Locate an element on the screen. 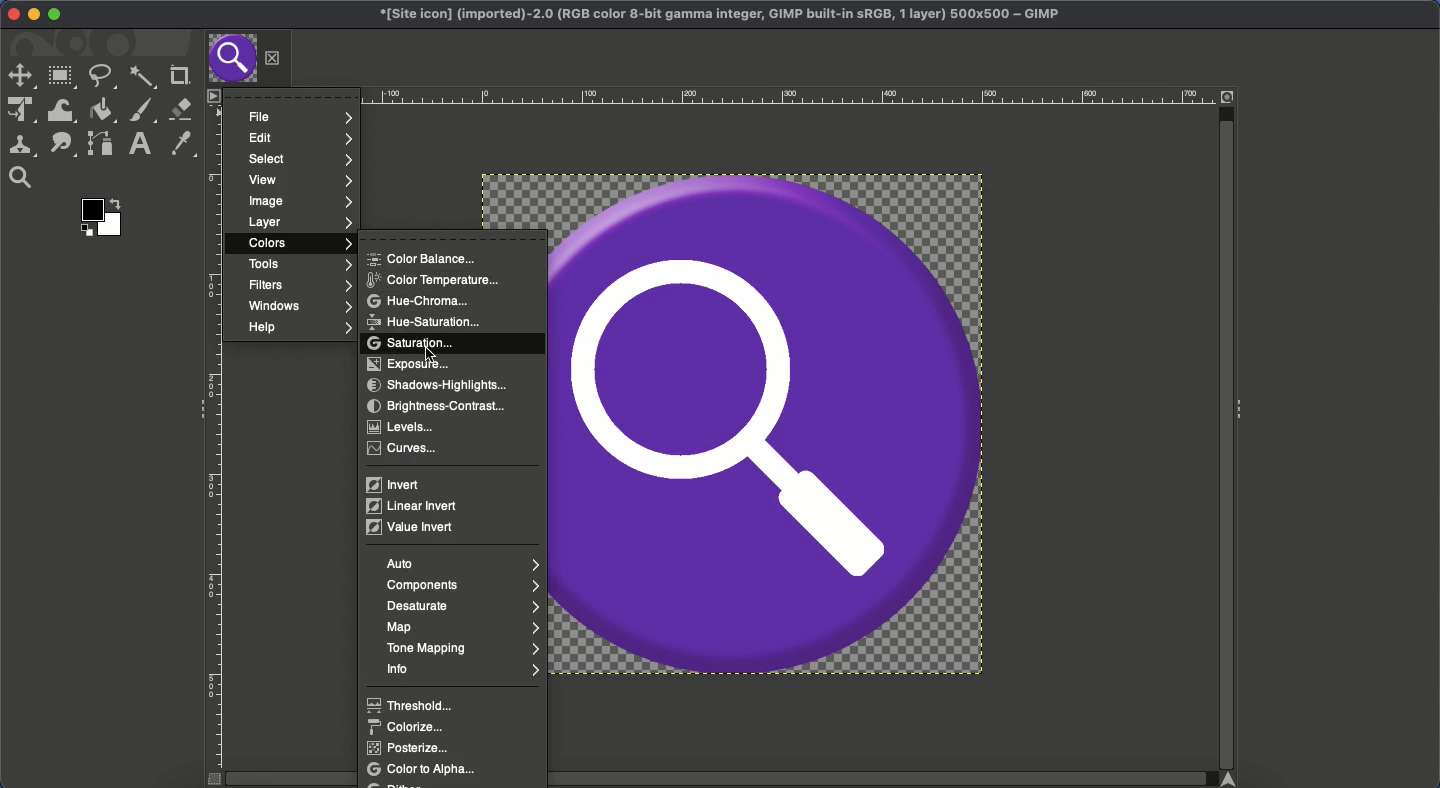 The width and height of the screenshot is (1440, 788). Collapse is located at coordinates (197, 410).